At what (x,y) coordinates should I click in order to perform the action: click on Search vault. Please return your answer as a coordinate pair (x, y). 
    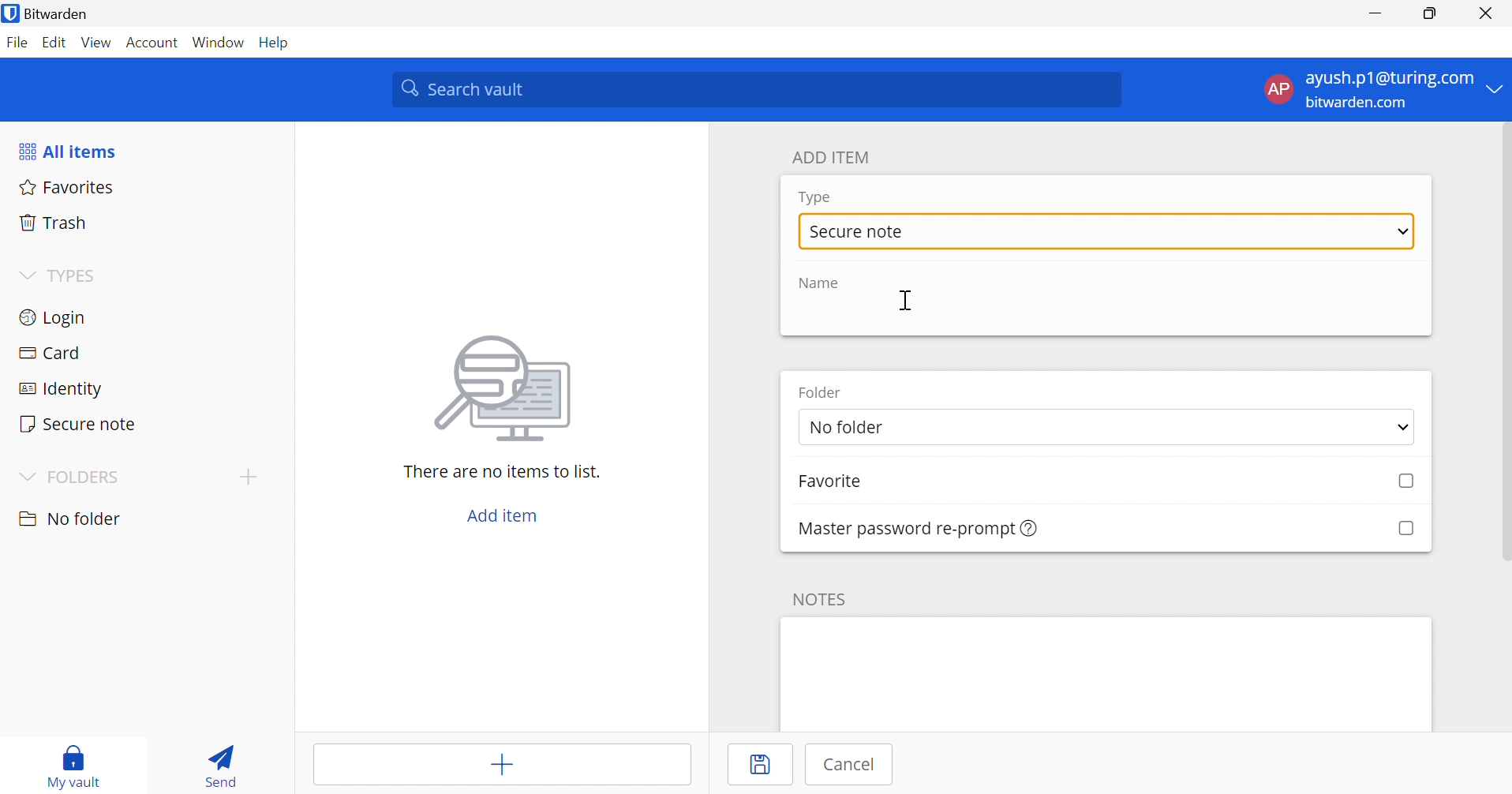
    Looking at the image, I should click on (758, 90).